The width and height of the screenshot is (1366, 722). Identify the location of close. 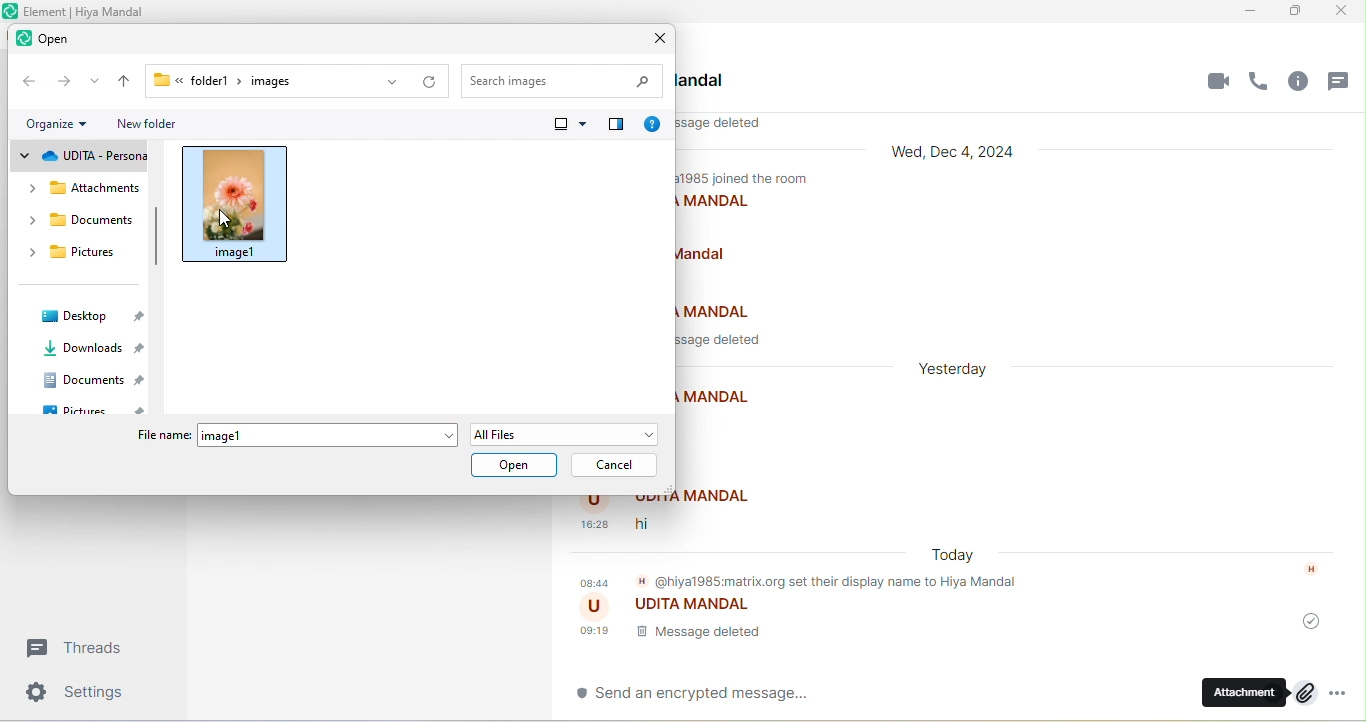
(659, 38).